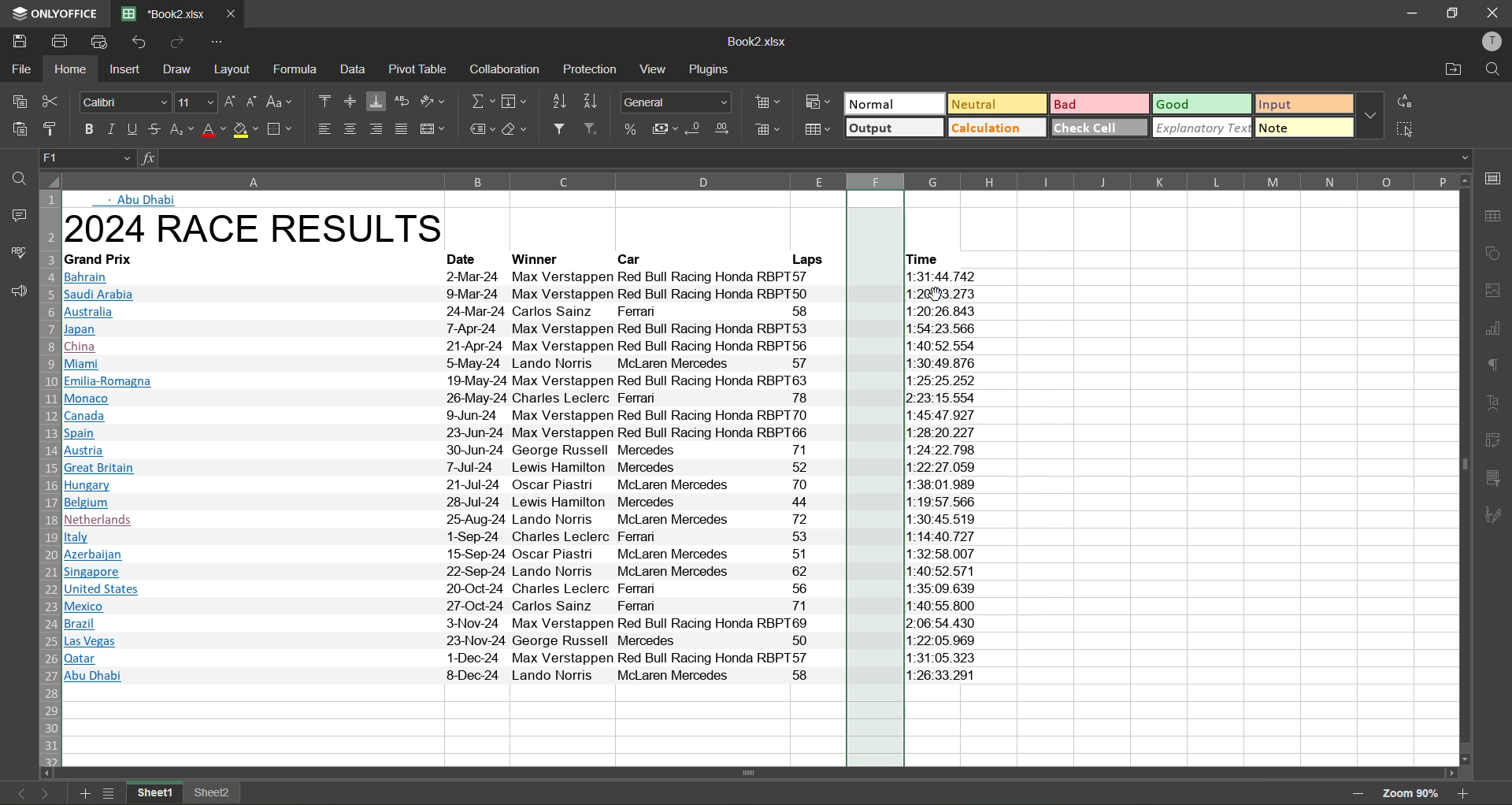  What do you see at coordinates (941, 607) in the screenshot?
I see `11:40:55.80` at bounding box center [941, 607].